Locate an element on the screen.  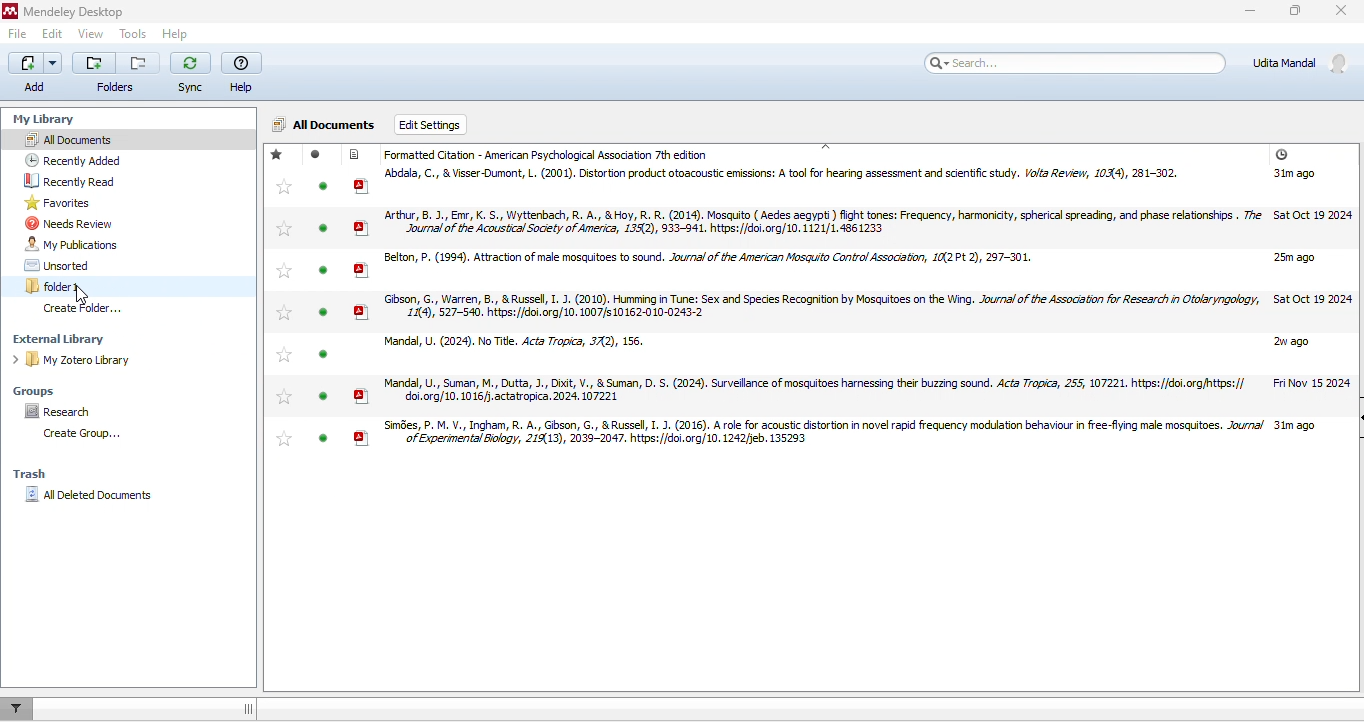
recently added is located at coordinates (66, 160).